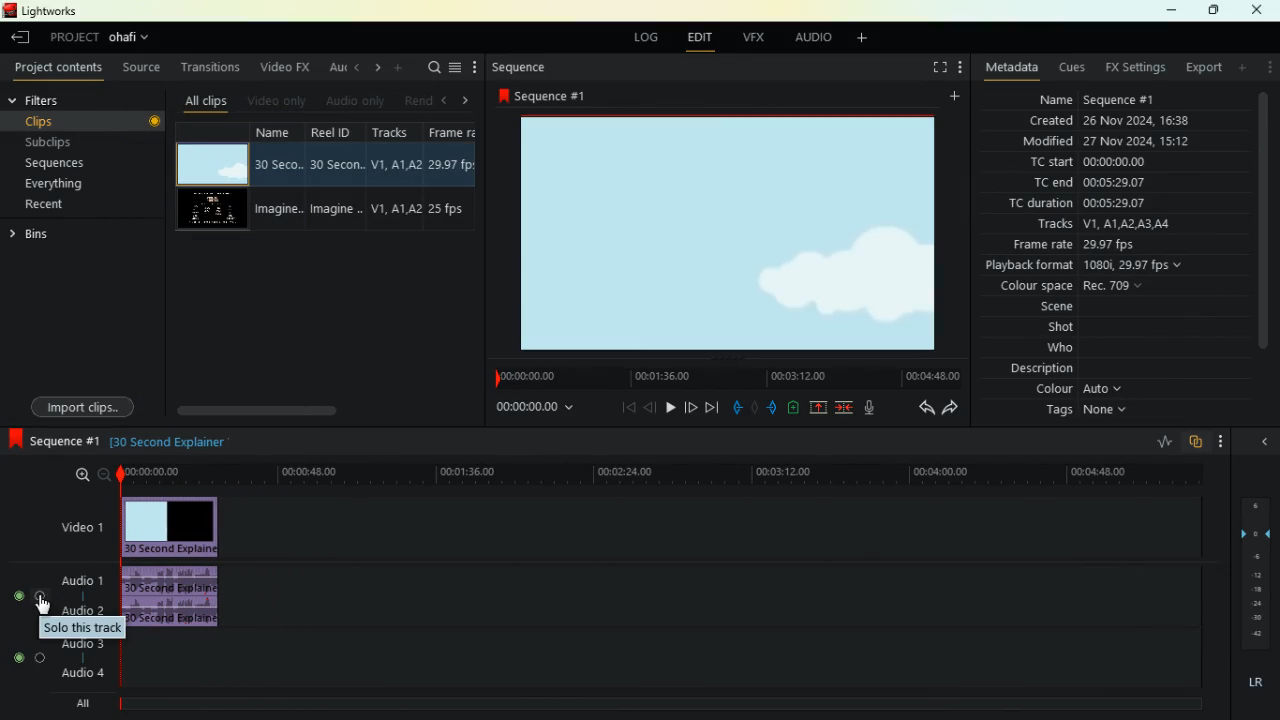 This screenshot has height=720, width=1280. What do you see at coordinates (1085, 163) in the screenshot?
I see `tc start` at bounding box center [1085, 163].